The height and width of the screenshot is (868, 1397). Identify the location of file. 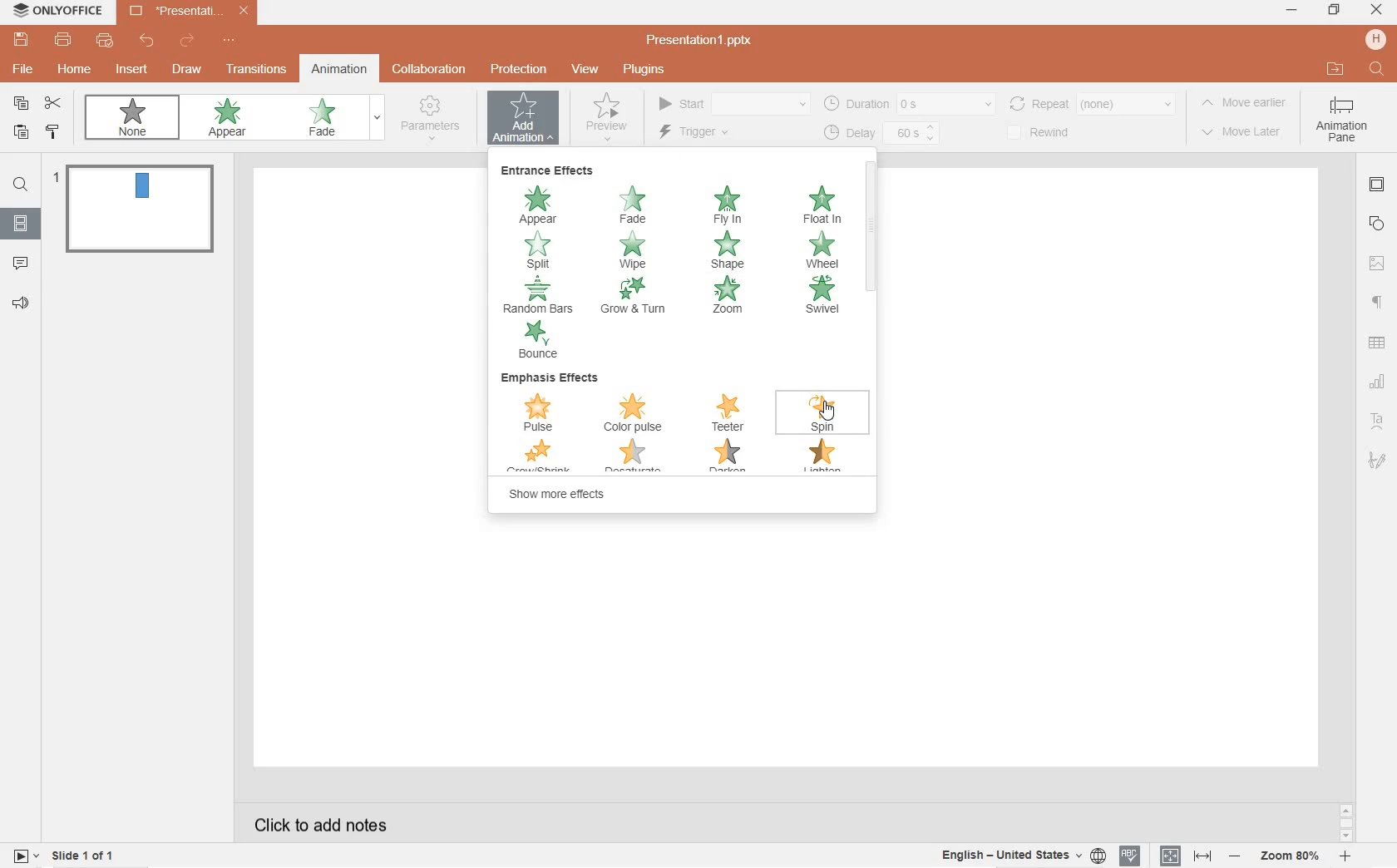
(24, 69).